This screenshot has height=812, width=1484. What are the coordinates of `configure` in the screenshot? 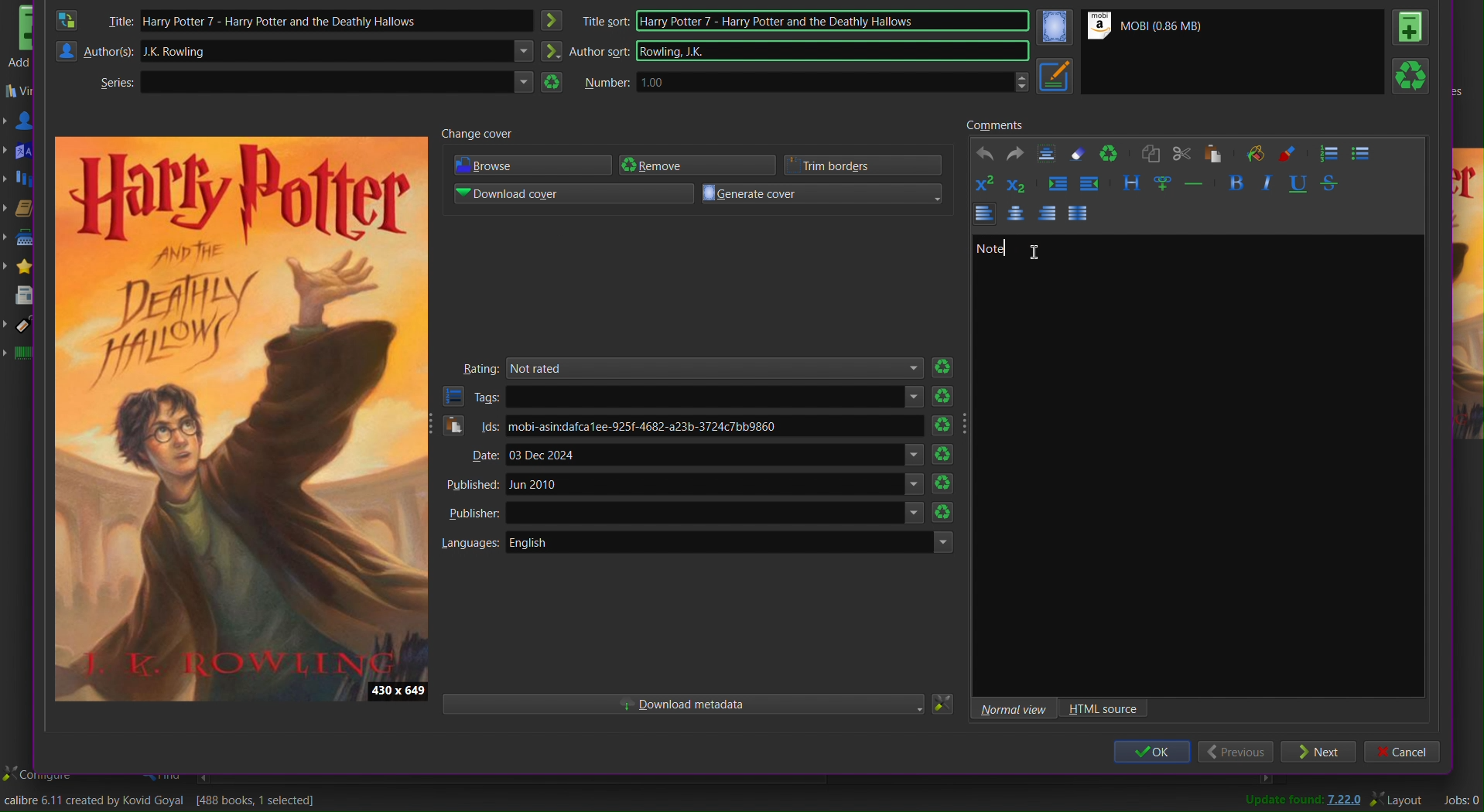 It's located at (40, 773).